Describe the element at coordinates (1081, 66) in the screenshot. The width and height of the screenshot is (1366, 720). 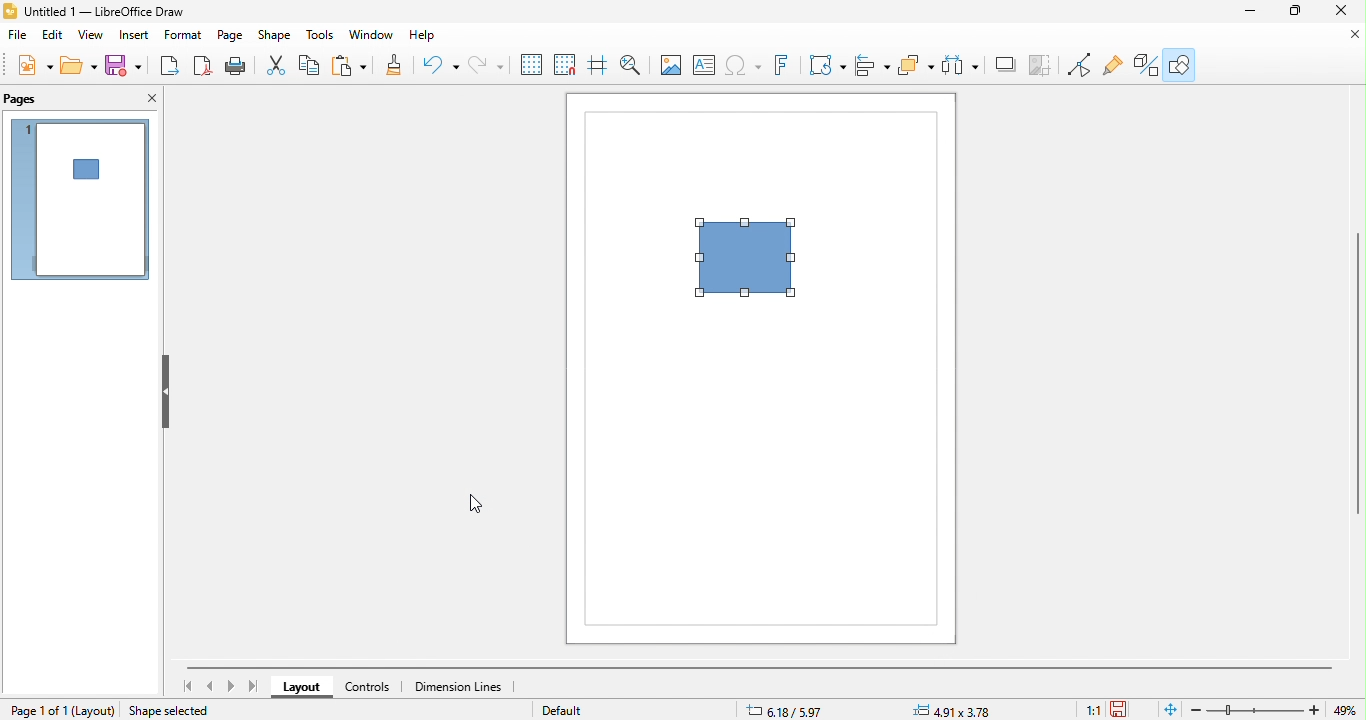
I see `toggle point edit mode` at that location.